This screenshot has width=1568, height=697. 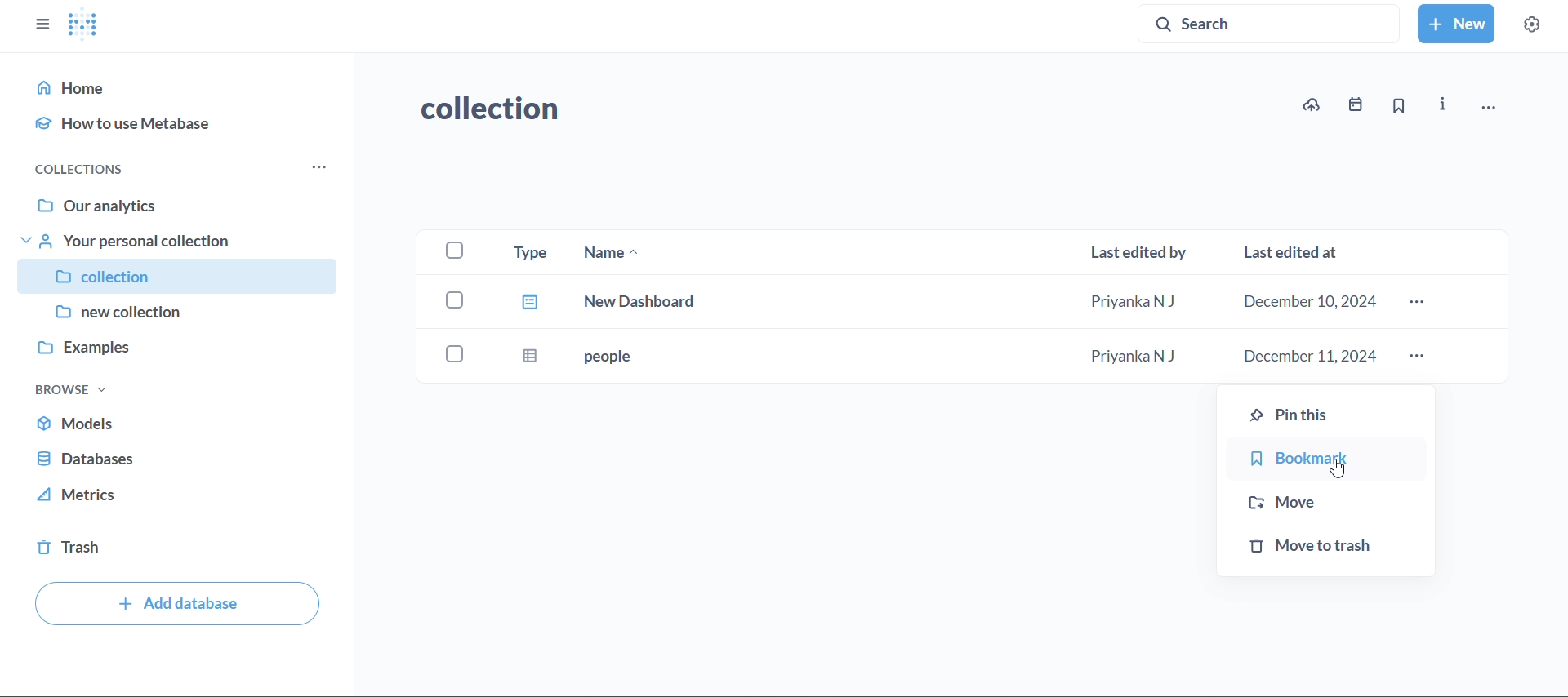 I want to click on upload to collection, so click(x=1312, y=106).